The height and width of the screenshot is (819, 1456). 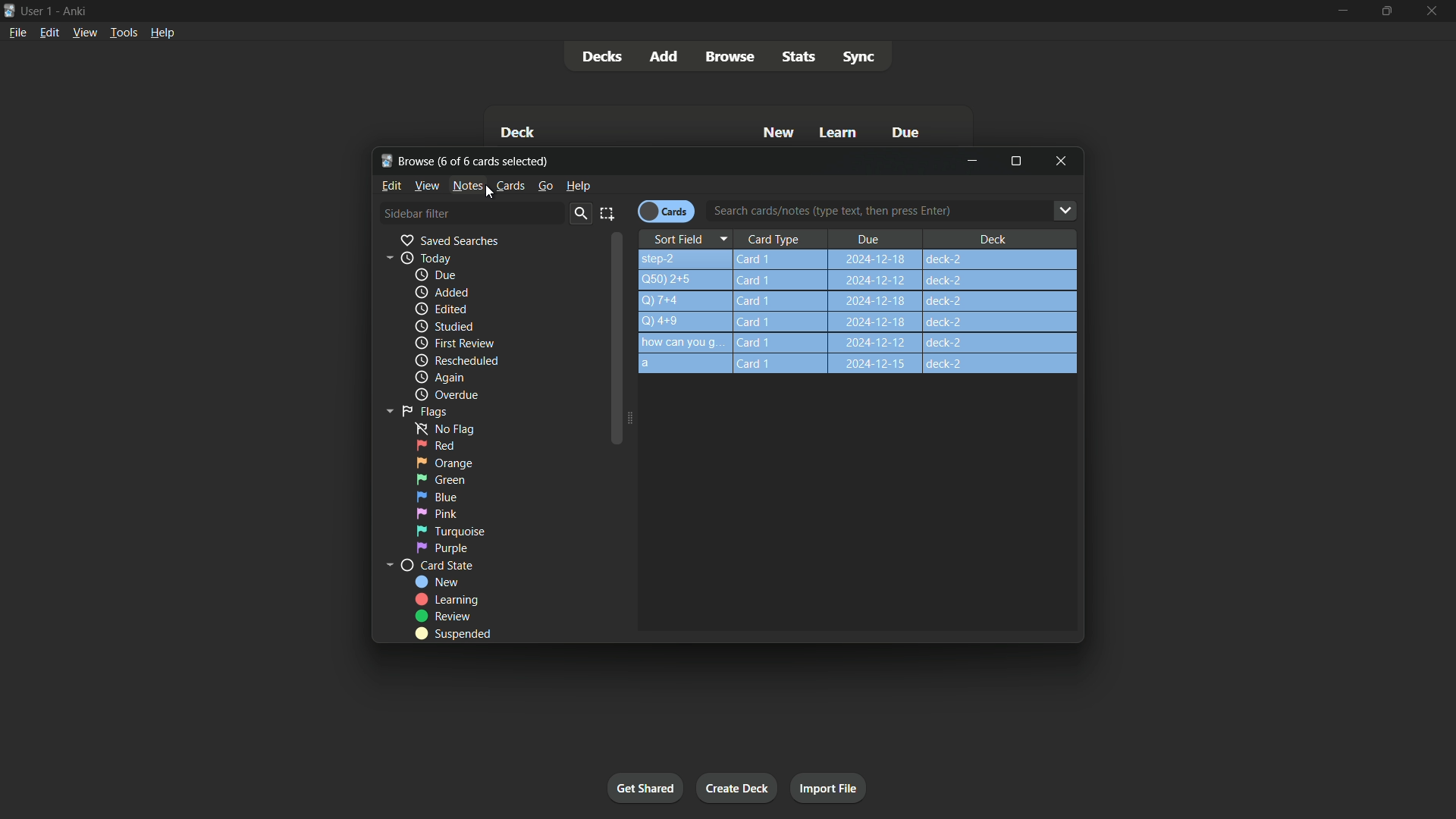 I want to click on Saved searches, so click(x=448, y=240).